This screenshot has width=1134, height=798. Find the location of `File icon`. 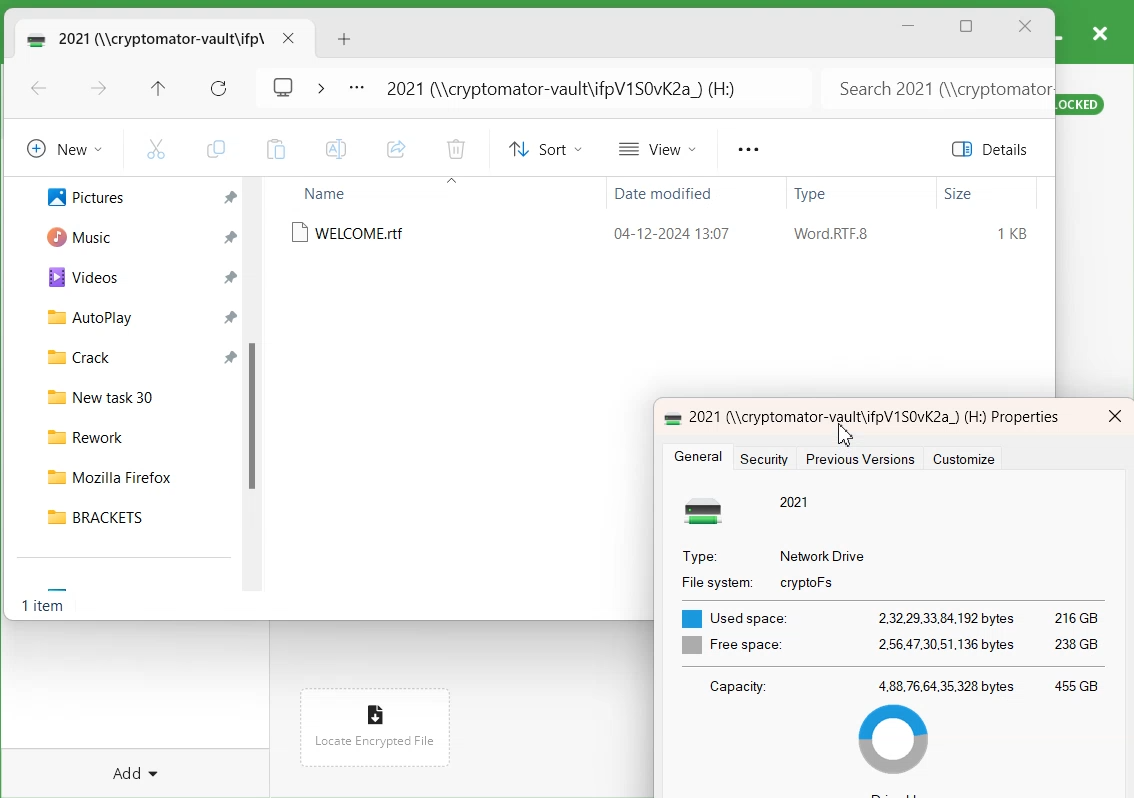

File icon is located at coordinates (372, 709).